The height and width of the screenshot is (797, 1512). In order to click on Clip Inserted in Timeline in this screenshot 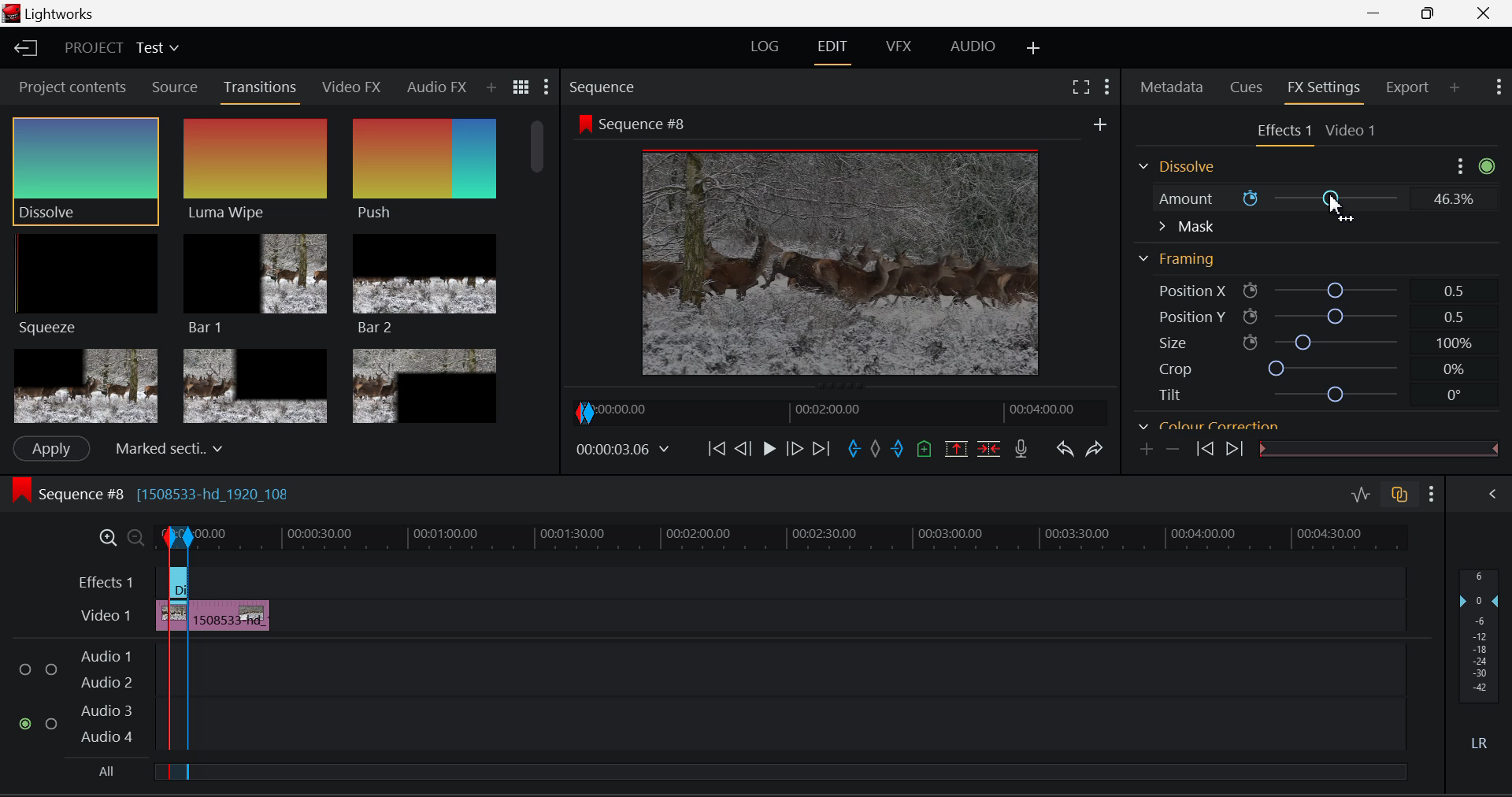, I will do `click(231, 613)`.